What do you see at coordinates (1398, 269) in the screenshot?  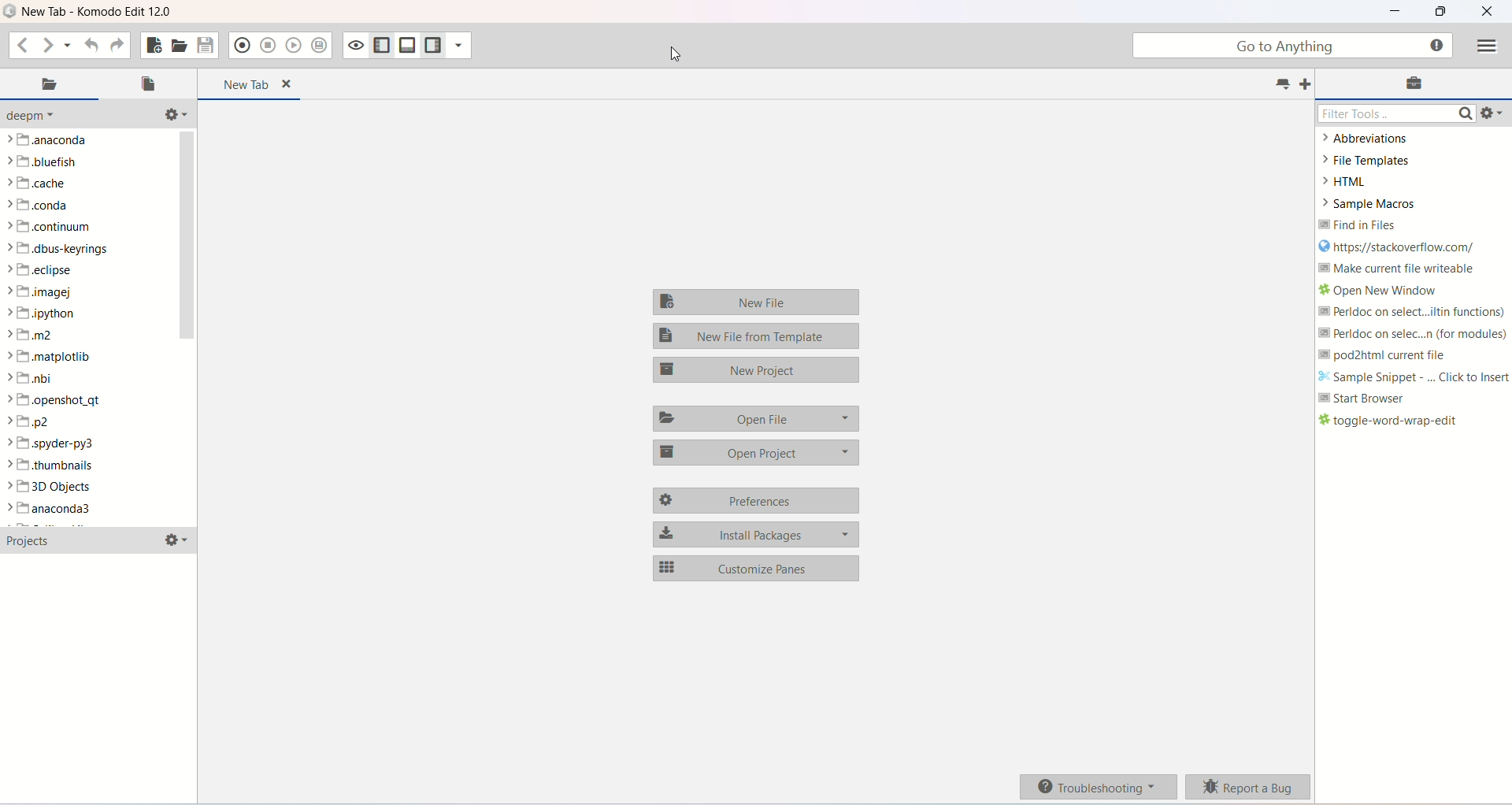 I see `make current file writeable` at bounding box center [1398, 269].